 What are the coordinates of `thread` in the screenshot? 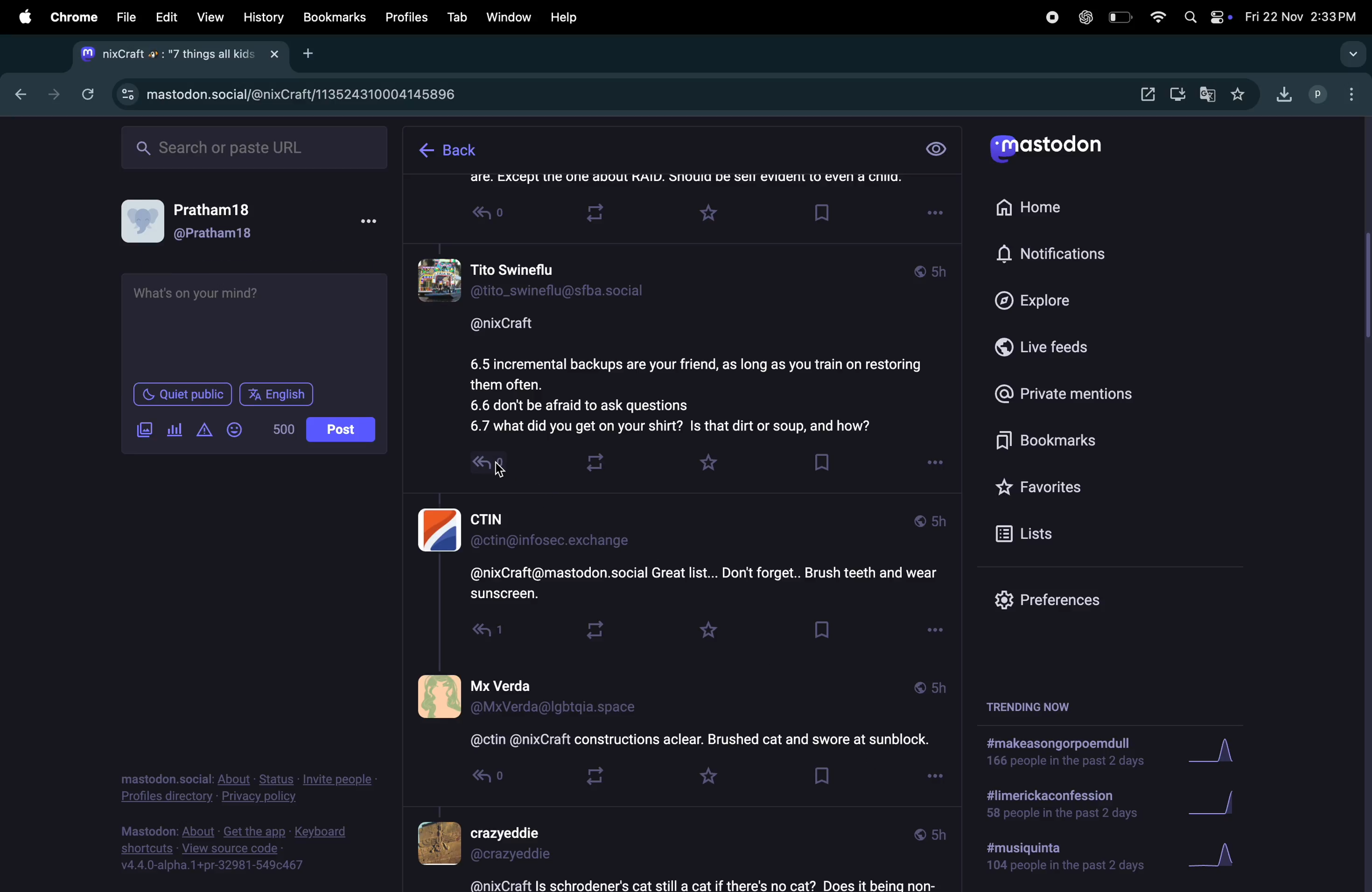 It's located at (676, 713).